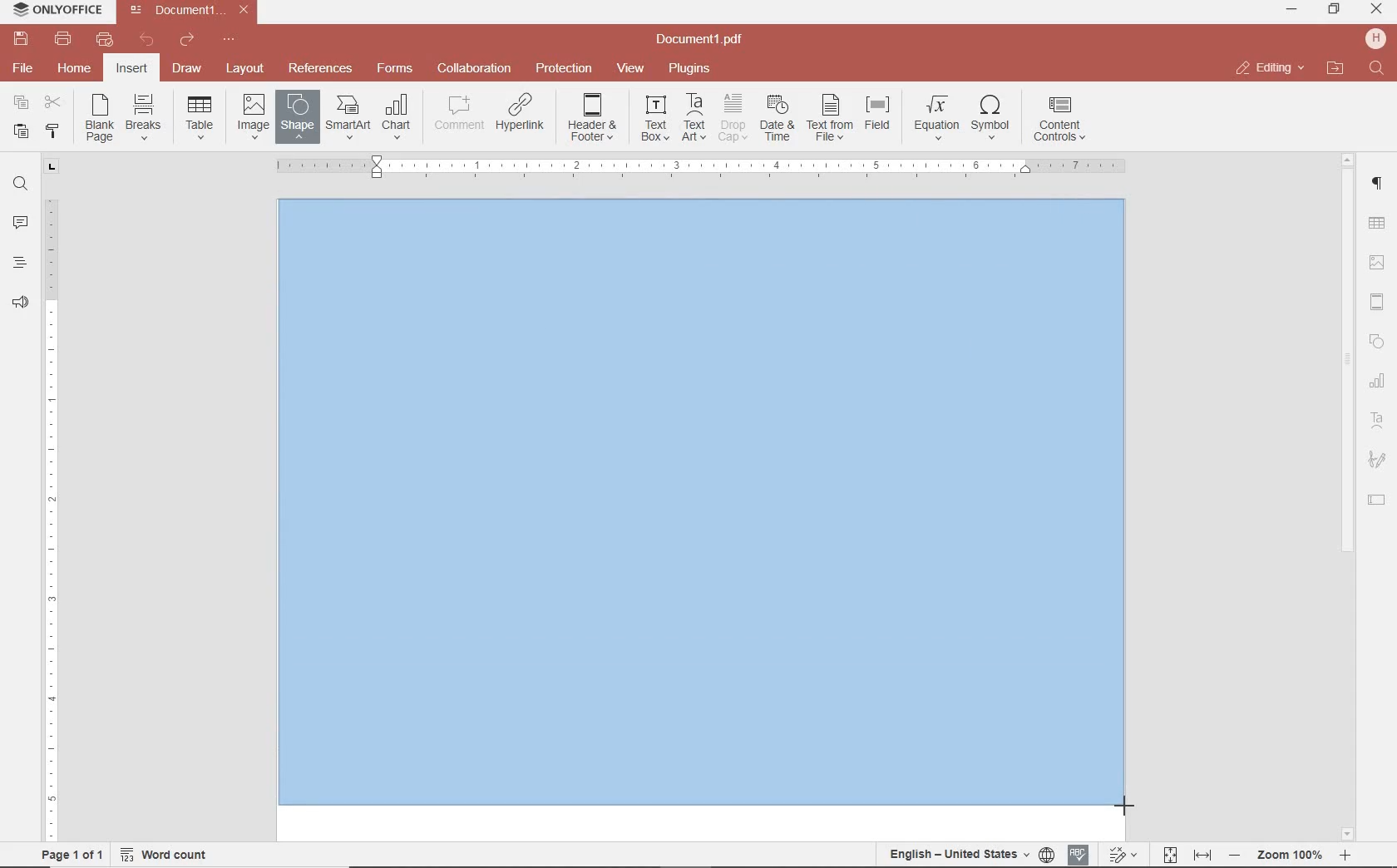 Image resolution: width=1397 pixels, height=868 pixels. What do you see at coordinates (52, 165) in the screenshot?
I see `tab stop` at bounding box center [52, 165].